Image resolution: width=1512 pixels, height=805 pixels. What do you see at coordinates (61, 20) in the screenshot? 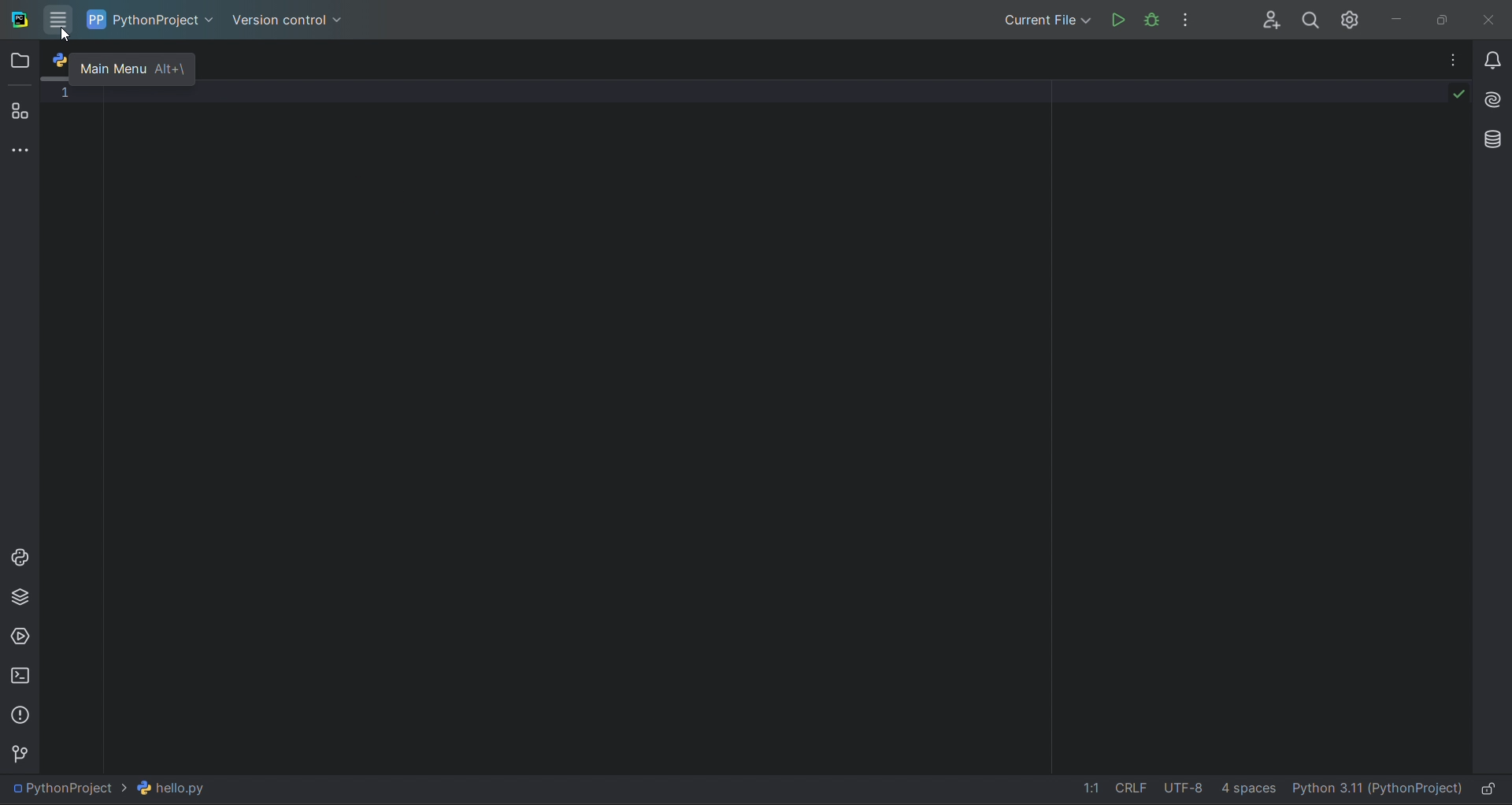
I see `menu` at bounding box center [61, 20].